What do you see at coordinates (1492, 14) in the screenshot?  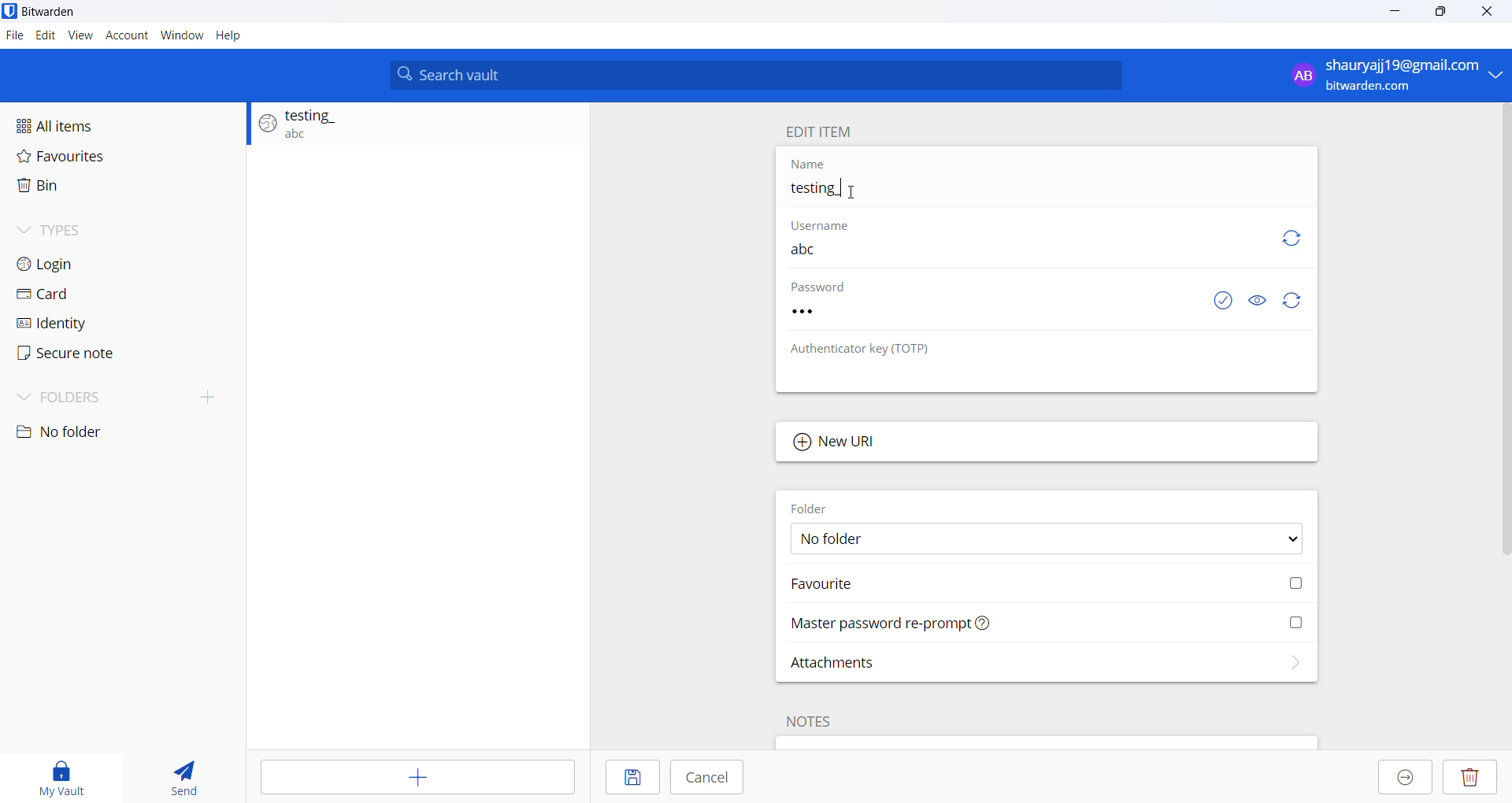 I see `Close` at bounding box center [1492, 14].